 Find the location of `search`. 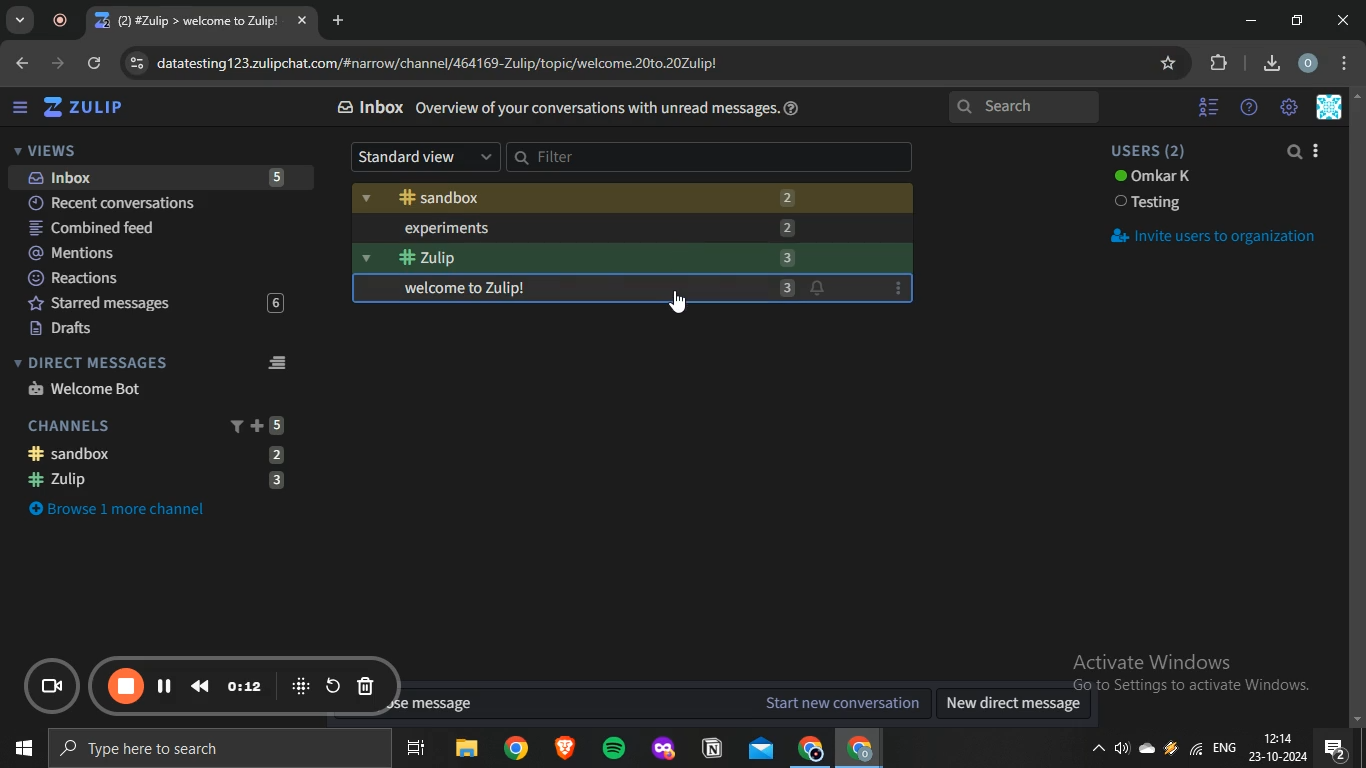

search is located at coordinates (1026, 108).